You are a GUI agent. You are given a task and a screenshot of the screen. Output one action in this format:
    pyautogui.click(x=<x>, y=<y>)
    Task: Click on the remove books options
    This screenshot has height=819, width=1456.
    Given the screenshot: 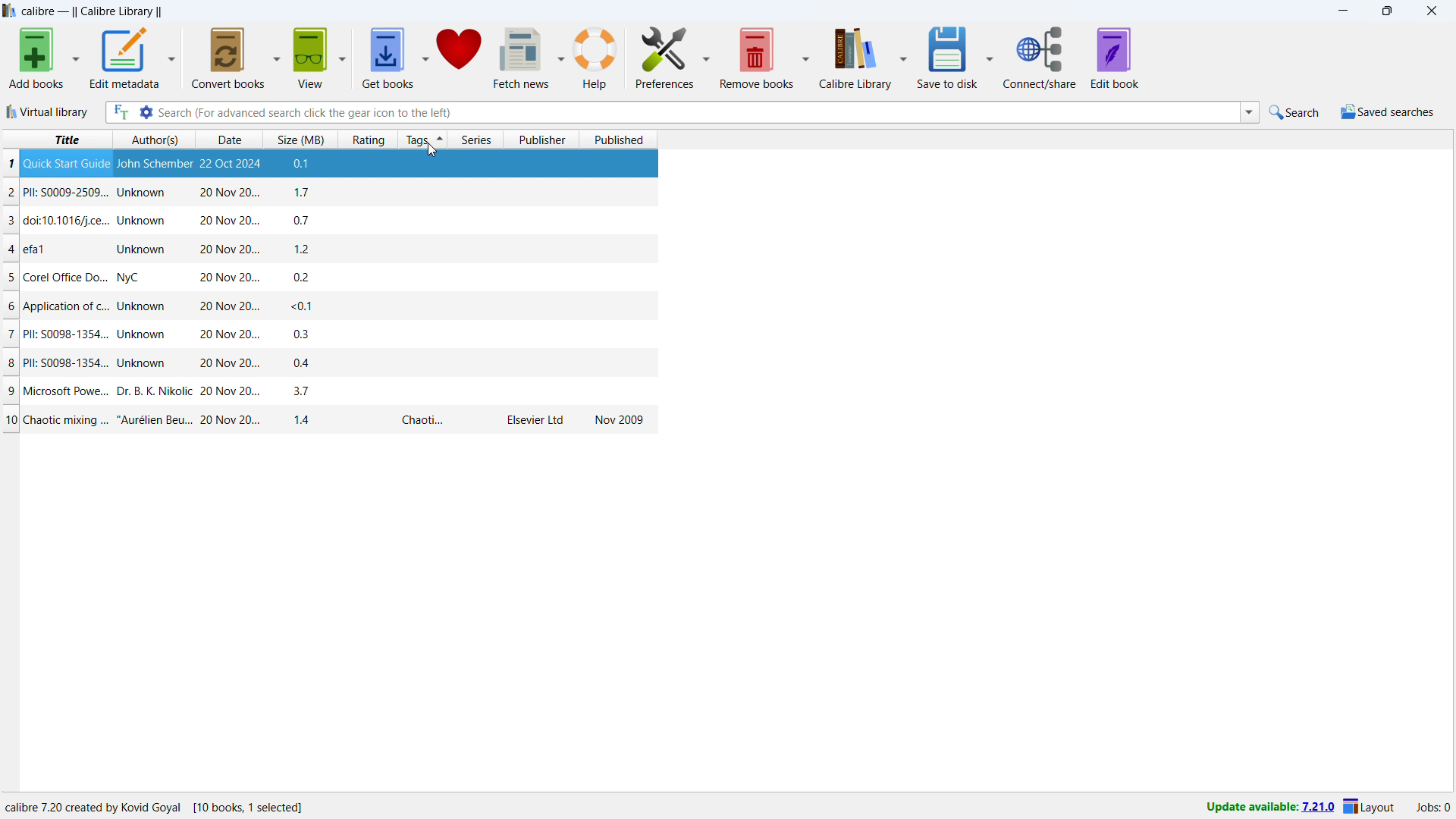 What is the action you would take?
    pyautogui.click(x=807, y=57)
    